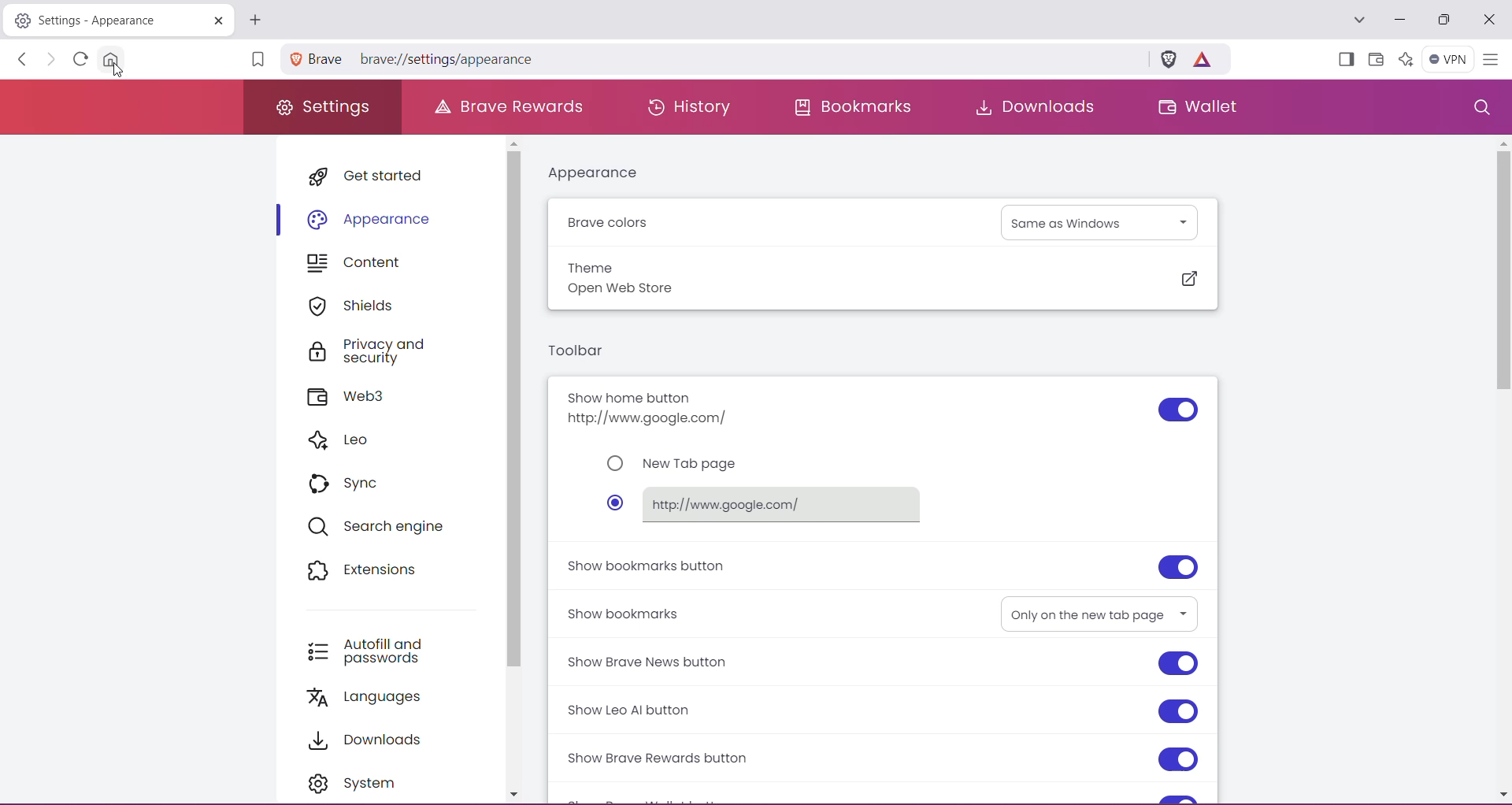 The image size is (1512, 805). What do you see at coordinates (346, 441) in the screenshot?
I see `Leo` at bounding box center [346, 441].